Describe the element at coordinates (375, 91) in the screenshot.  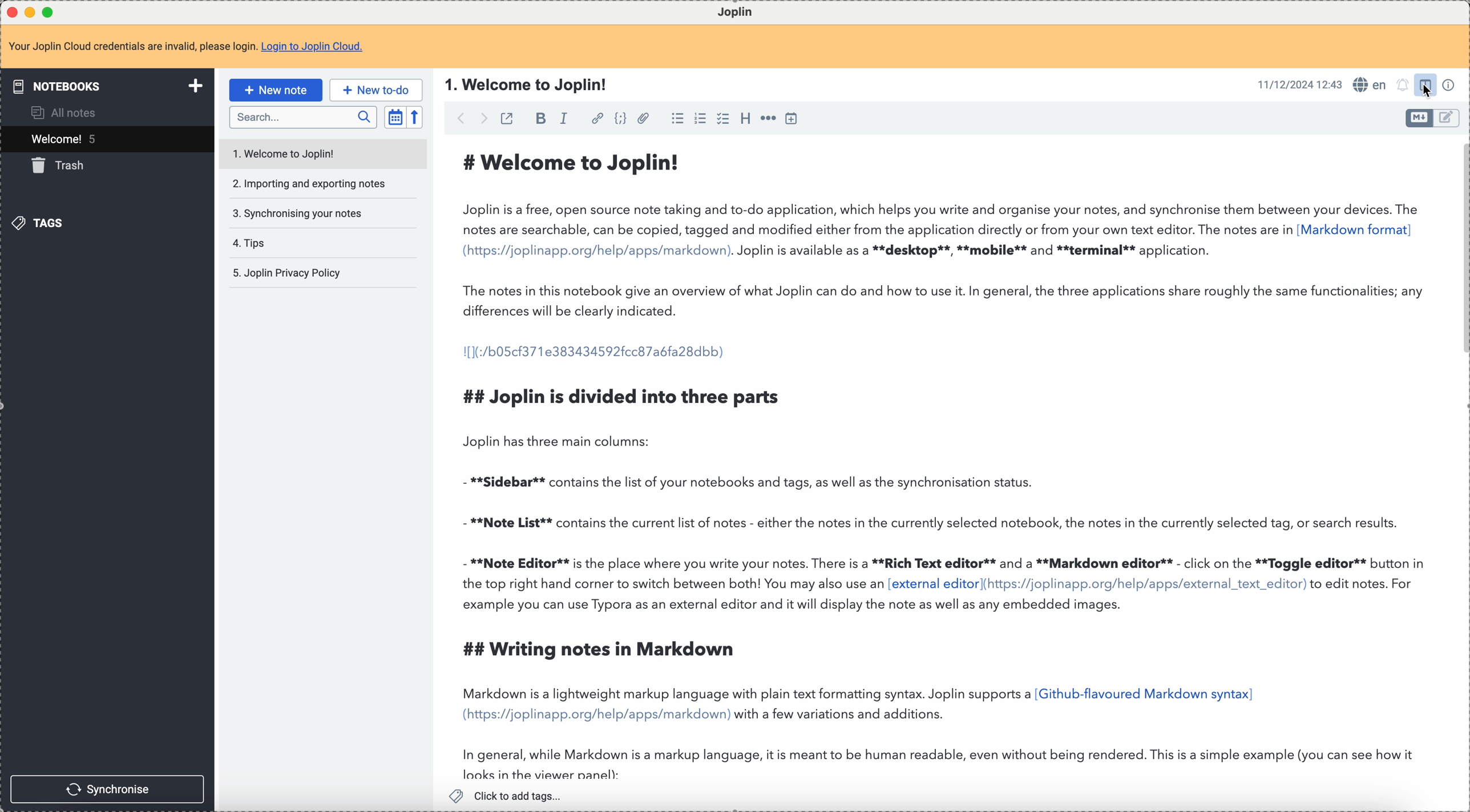
I see `new to-do` at that location.